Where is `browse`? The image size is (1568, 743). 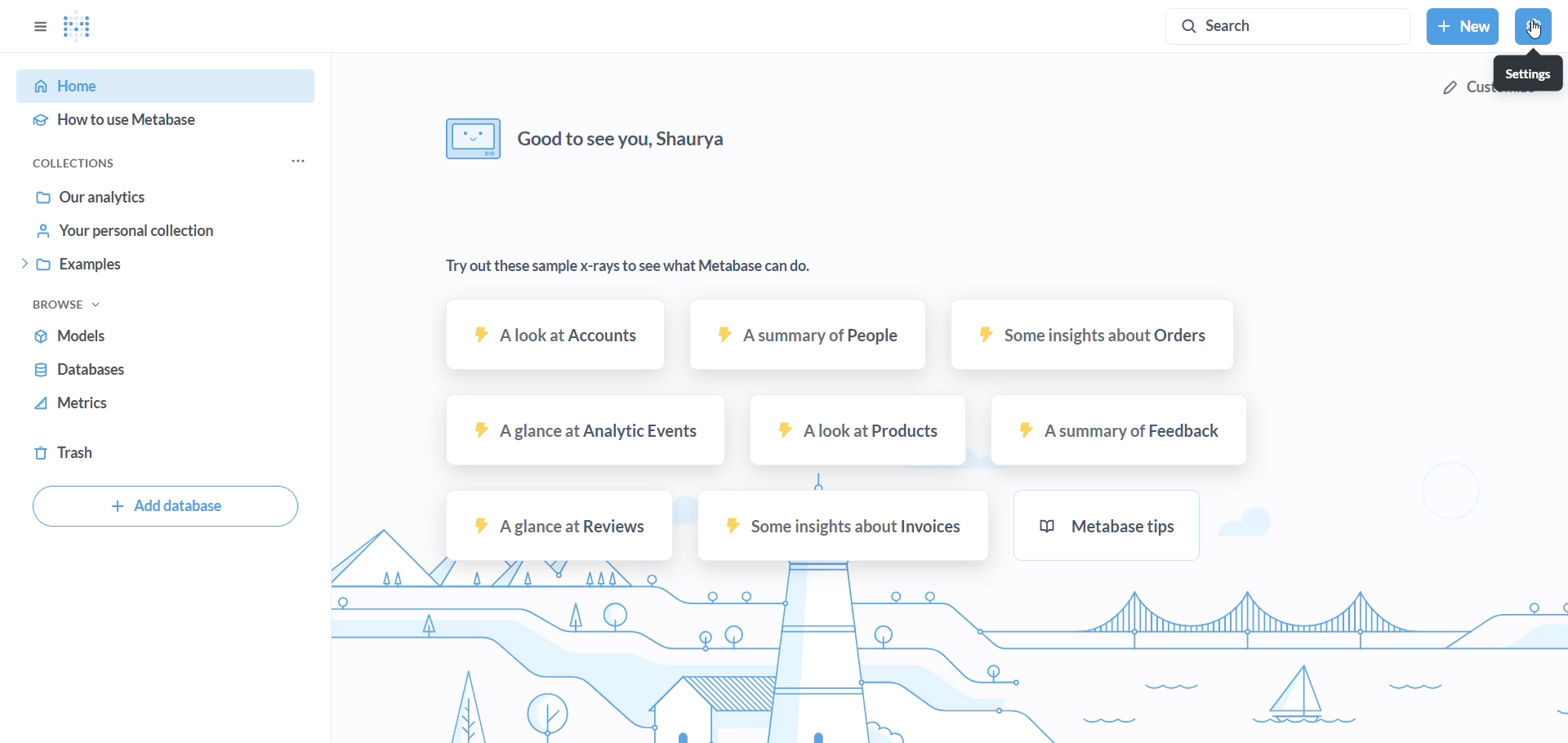
browse is located at coordinates (73, 304).